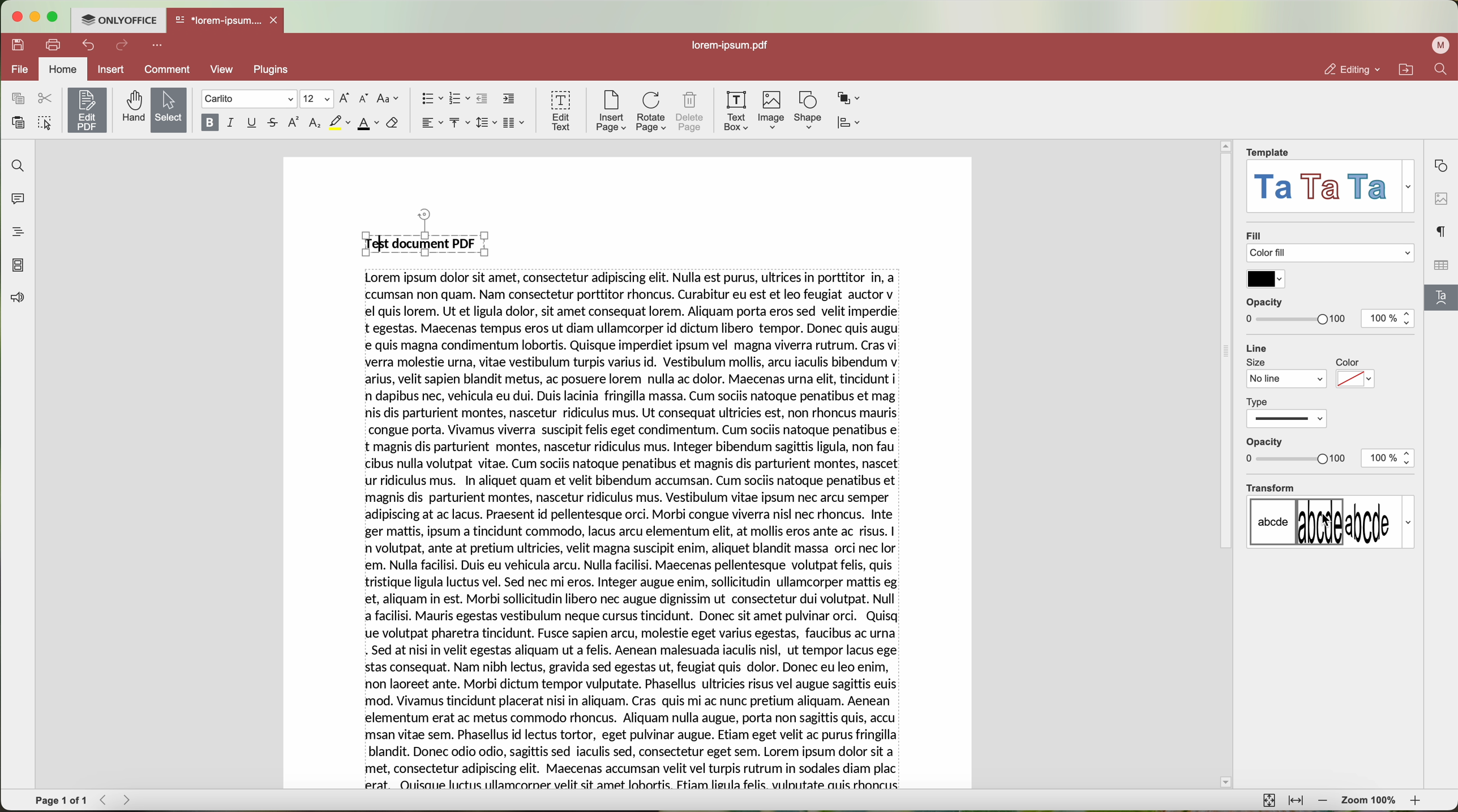  Describe the element at coordinates (389, 99) in the screenshot. I see `change case` at that location.